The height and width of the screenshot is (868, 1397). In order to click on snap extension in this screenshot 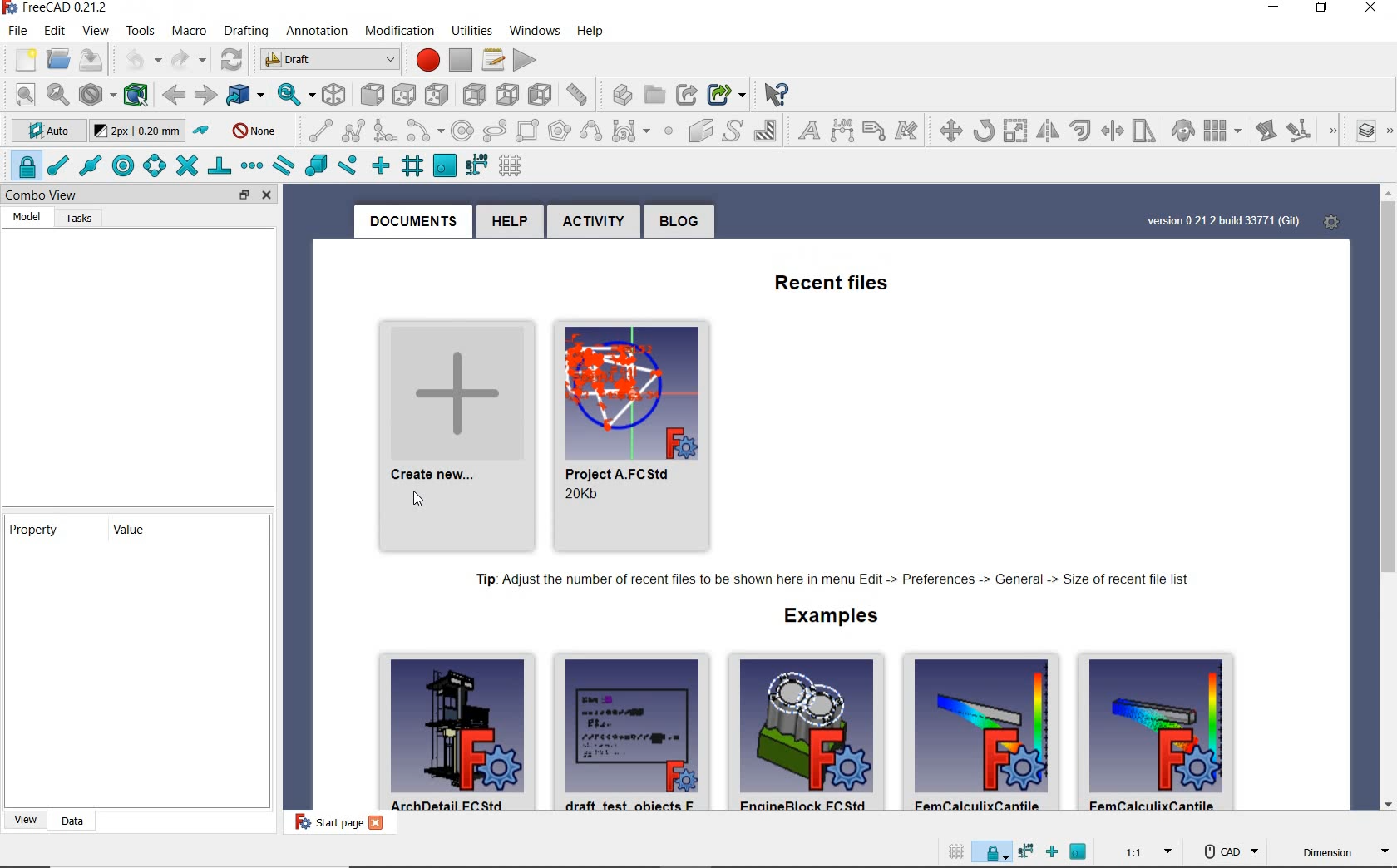, I will do `click(251, 167)`.